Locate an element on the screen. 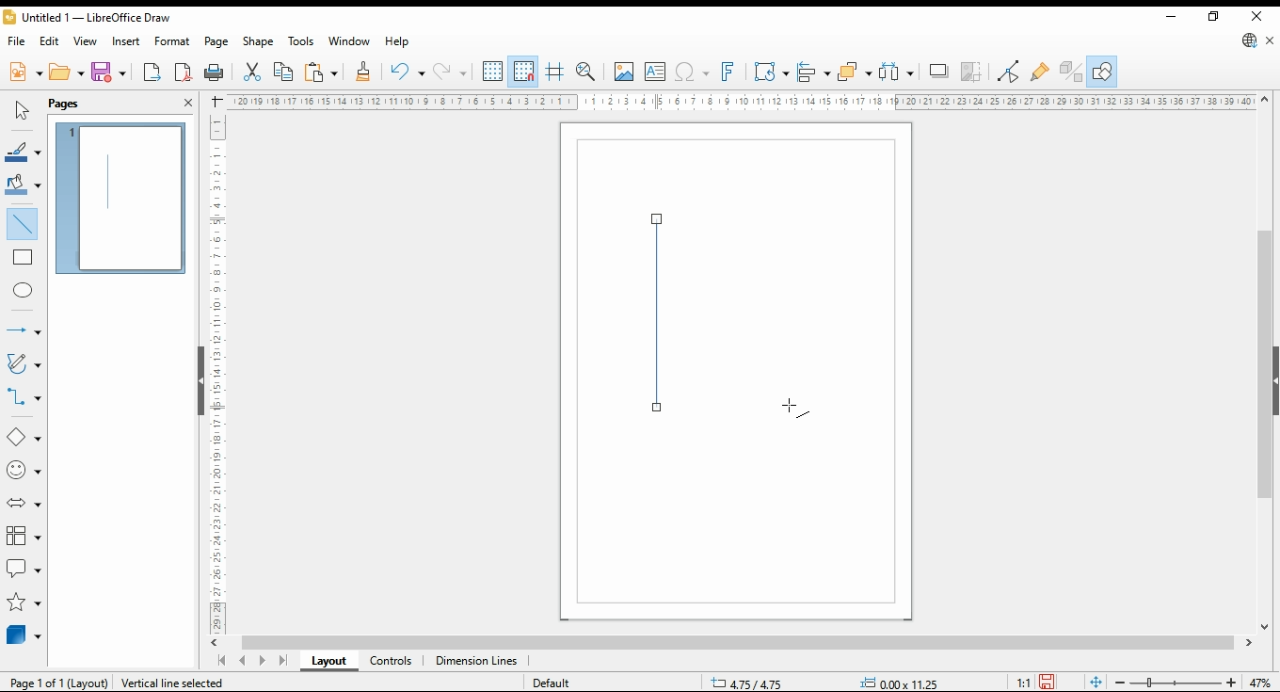  line color is located at coordinates (22, 153).